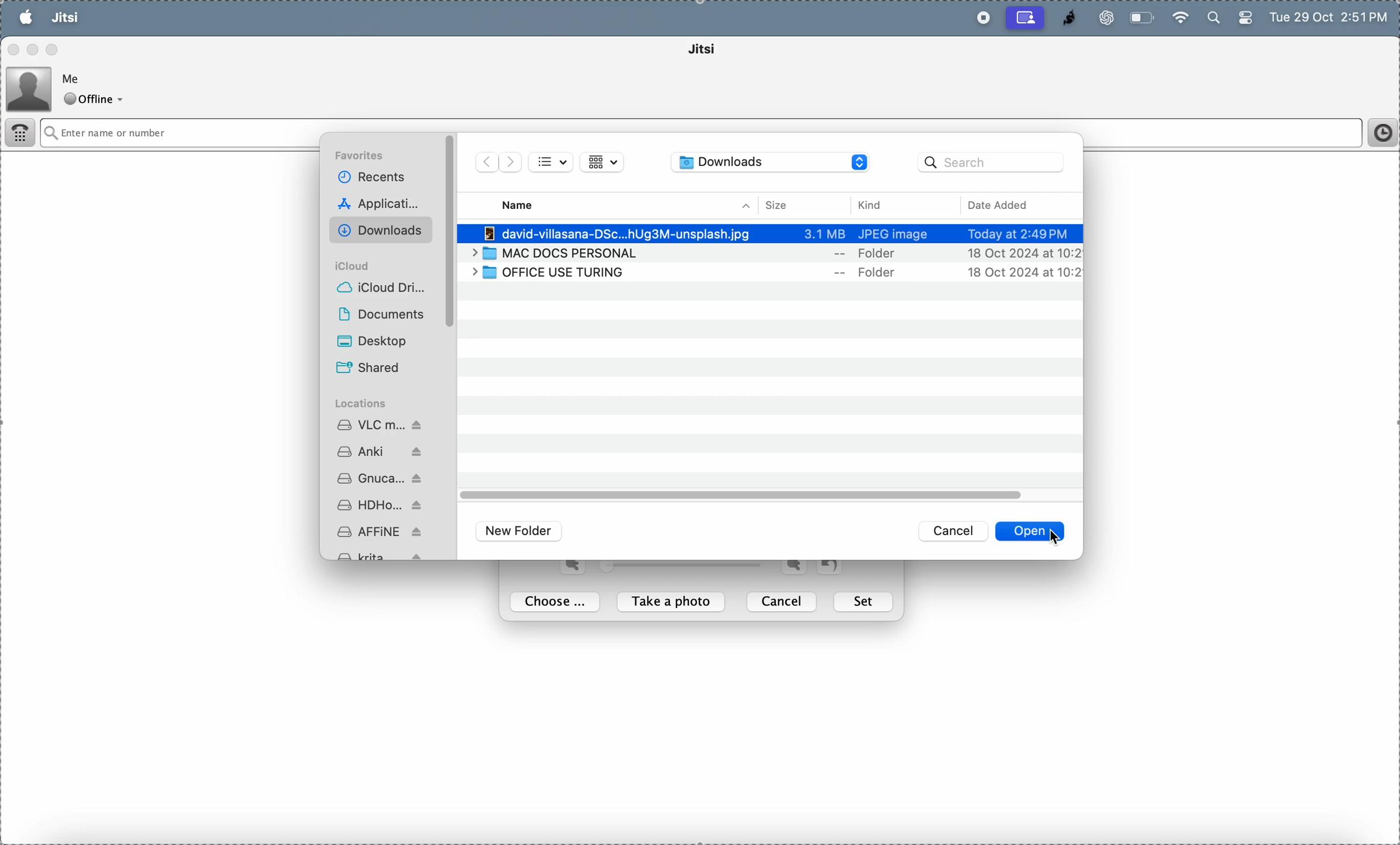 The height and width of the screenshot is (845, 1400). What do you see at coordinates (22, 135) in the screenshot?
I see `dialer` at bounding box center [22, 135].